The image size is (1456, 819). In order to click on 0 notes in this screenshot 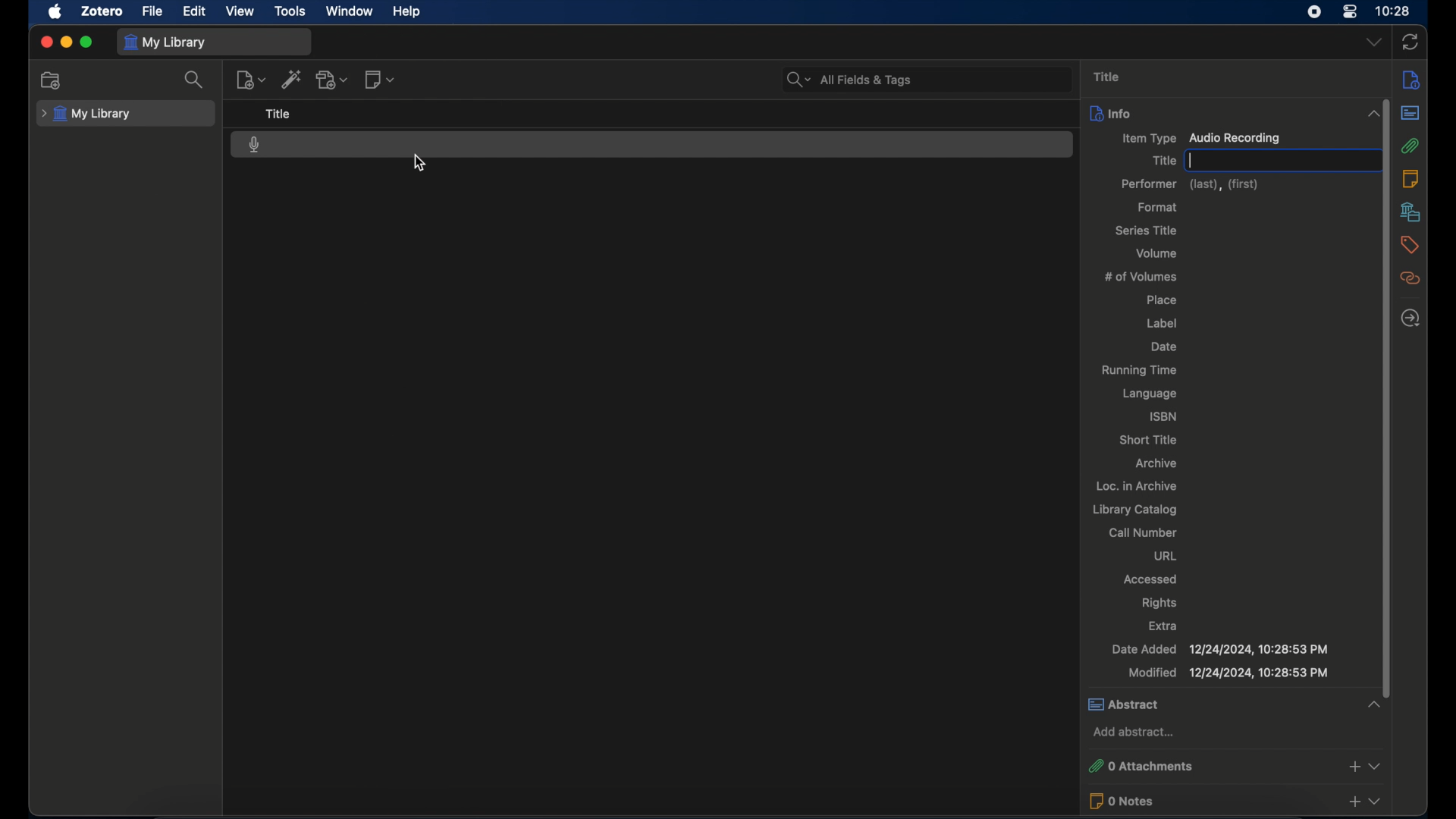, I will do `click(1238, 801)`.